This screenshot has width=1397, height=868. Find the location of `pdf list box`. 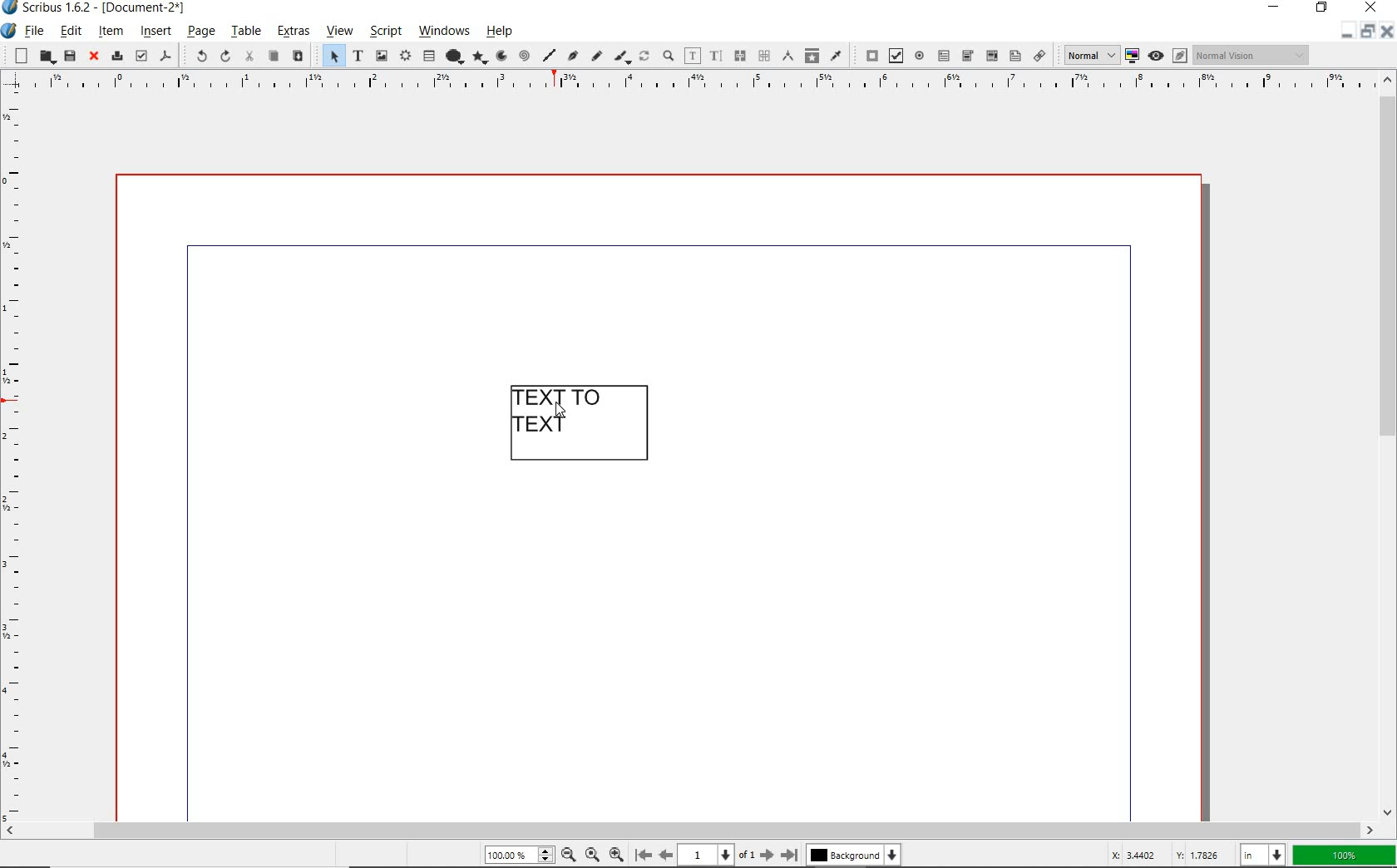

pdf list box is located at coordinates (1014, 57).